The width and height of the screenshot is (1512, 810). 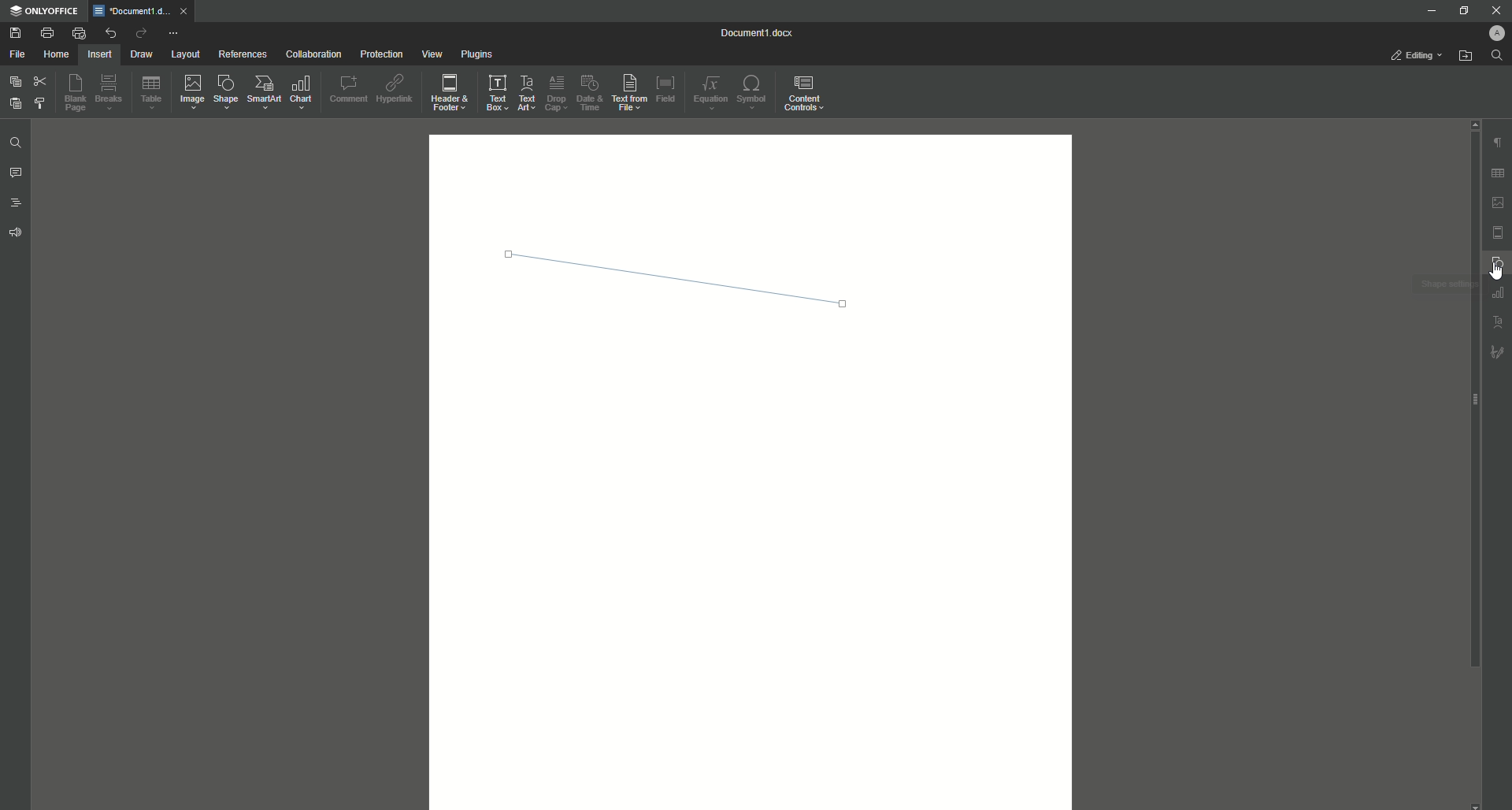 I want to click on Drop Cap, so click(x=556, y=92).